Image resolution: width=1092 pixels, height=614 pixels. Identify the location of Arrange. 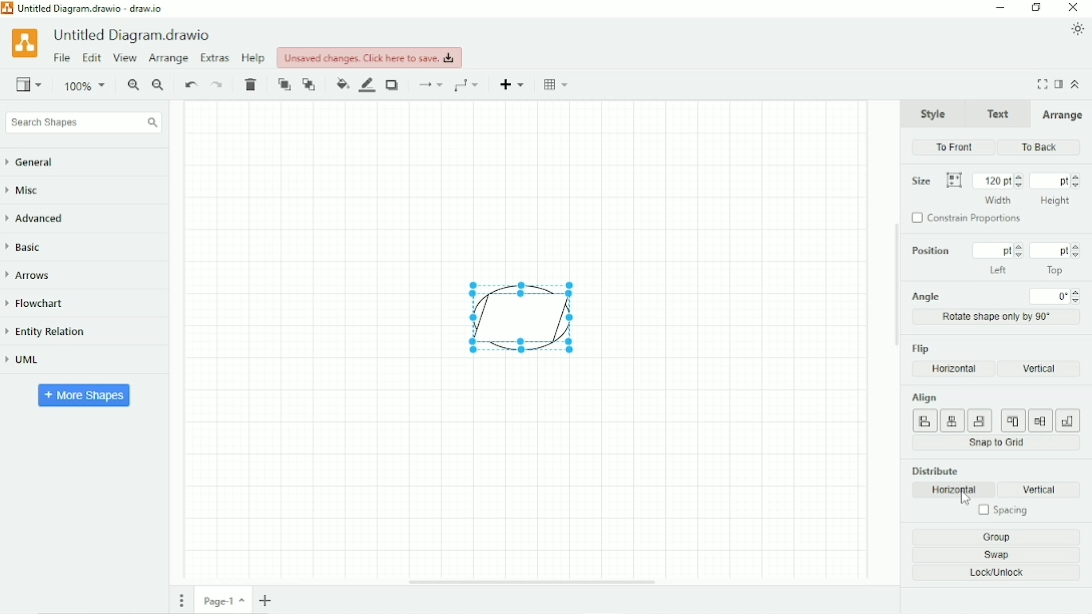
(168, 59).